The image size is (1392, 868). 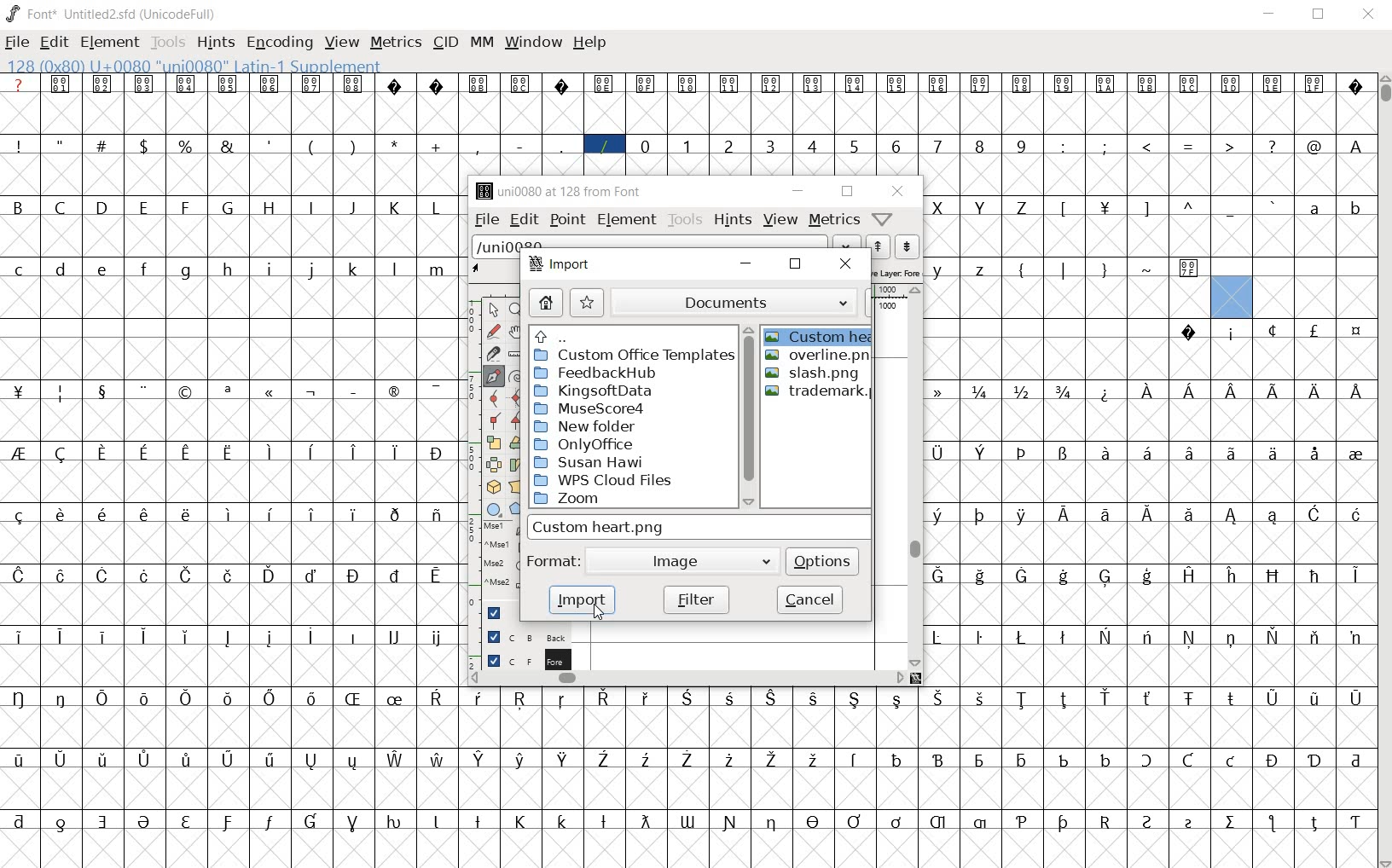 I want to click on glyph, so click(x=814, y=821).